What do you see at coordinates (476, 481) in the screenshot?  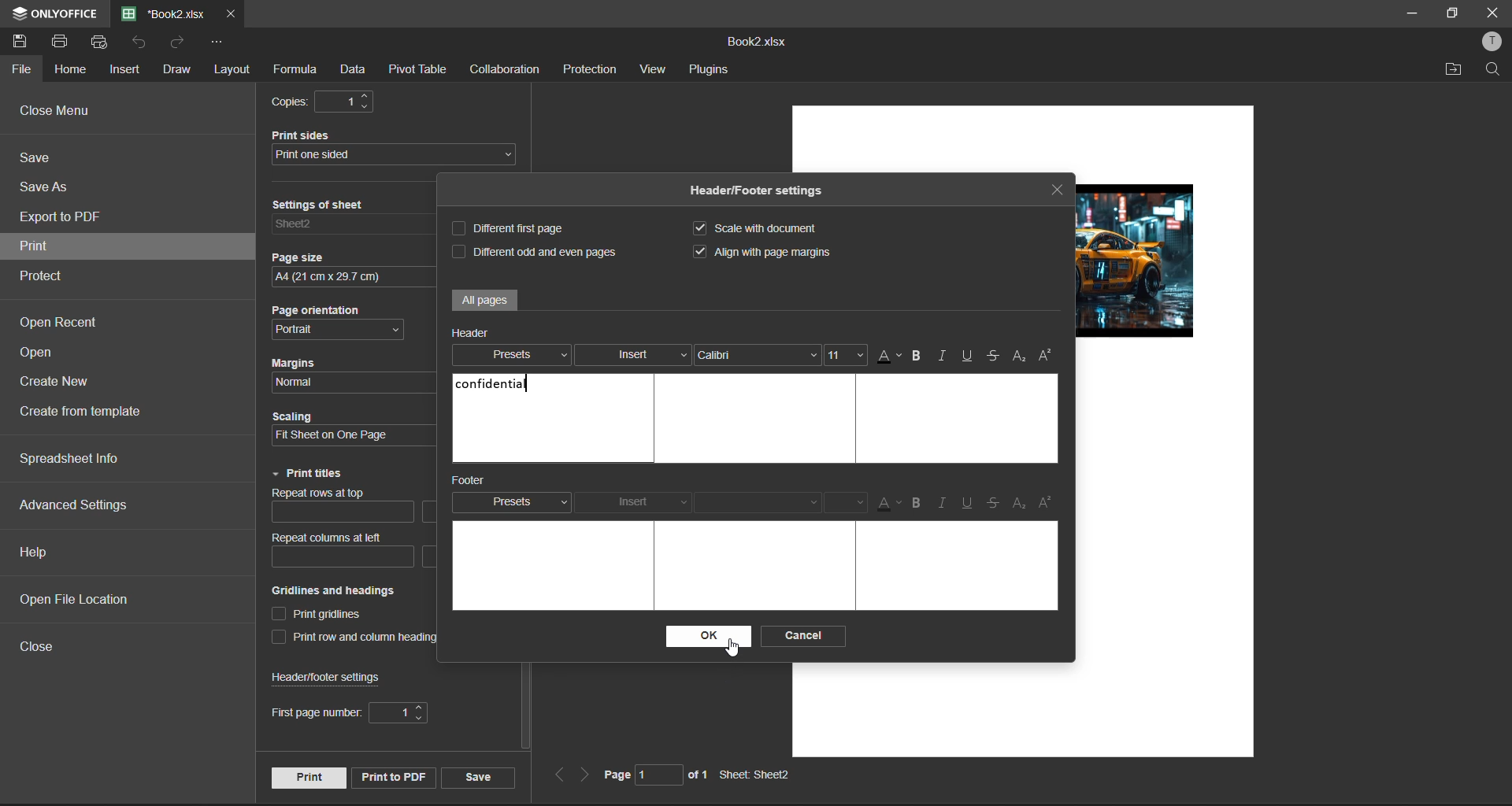 I see `footer` at bounding box center [476, 481].